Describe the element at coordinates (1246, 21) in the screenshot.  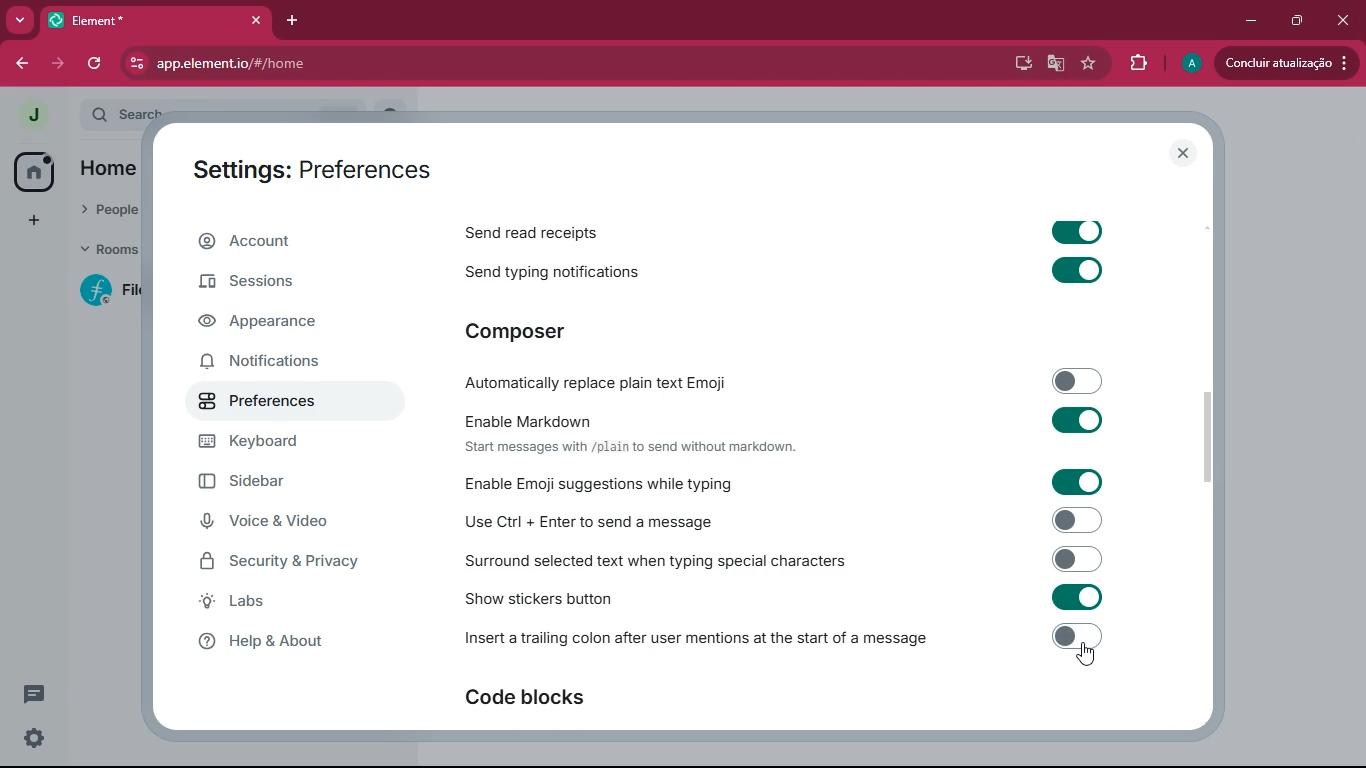
I see `minimize` at that location.